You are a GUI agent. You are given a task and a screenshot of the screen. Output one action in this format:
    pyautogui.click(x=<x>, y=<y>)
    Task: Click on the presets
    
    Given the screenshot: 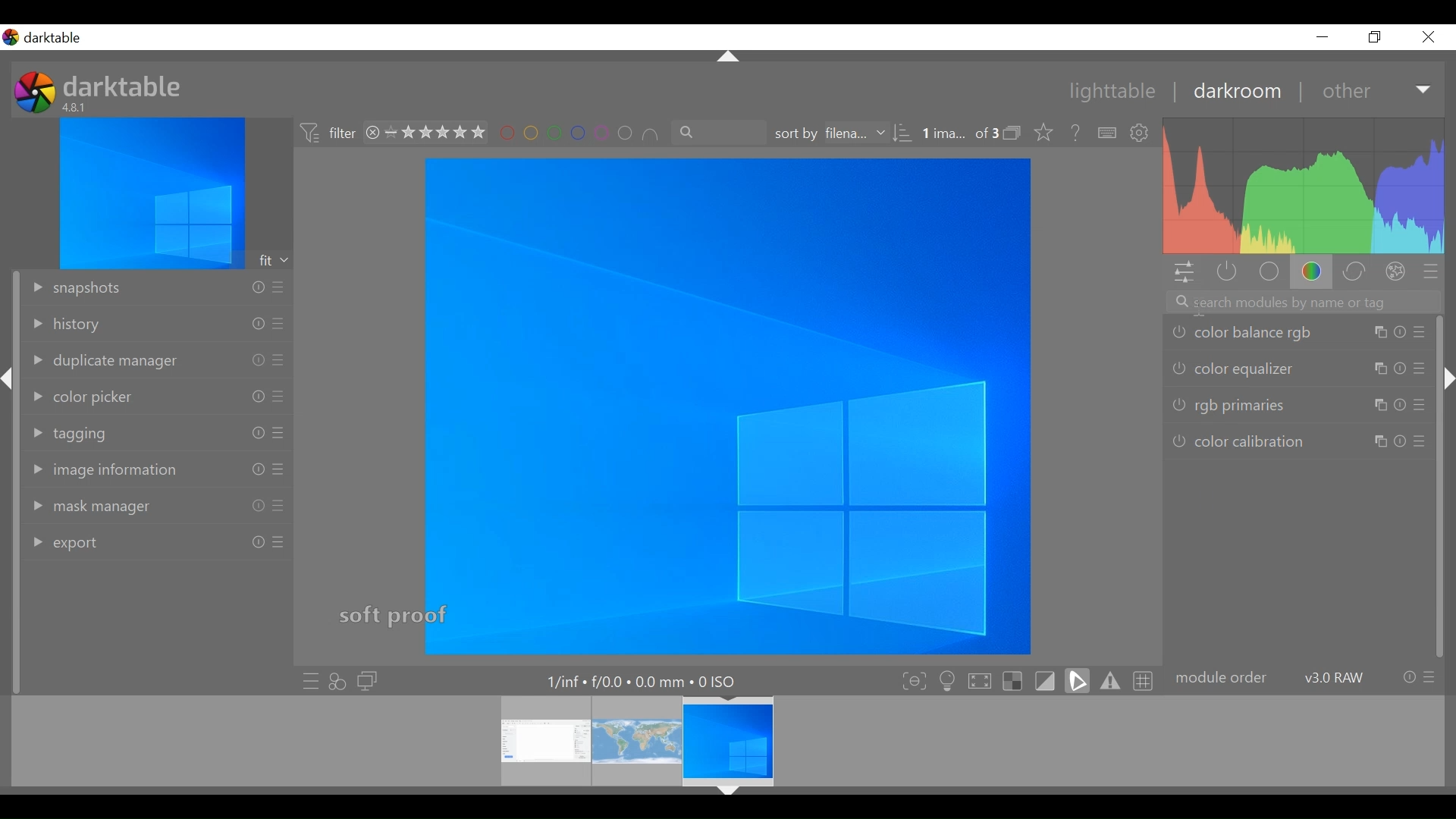 What is the action you would take?
    pyautogui.click(x=279, y=396)
    